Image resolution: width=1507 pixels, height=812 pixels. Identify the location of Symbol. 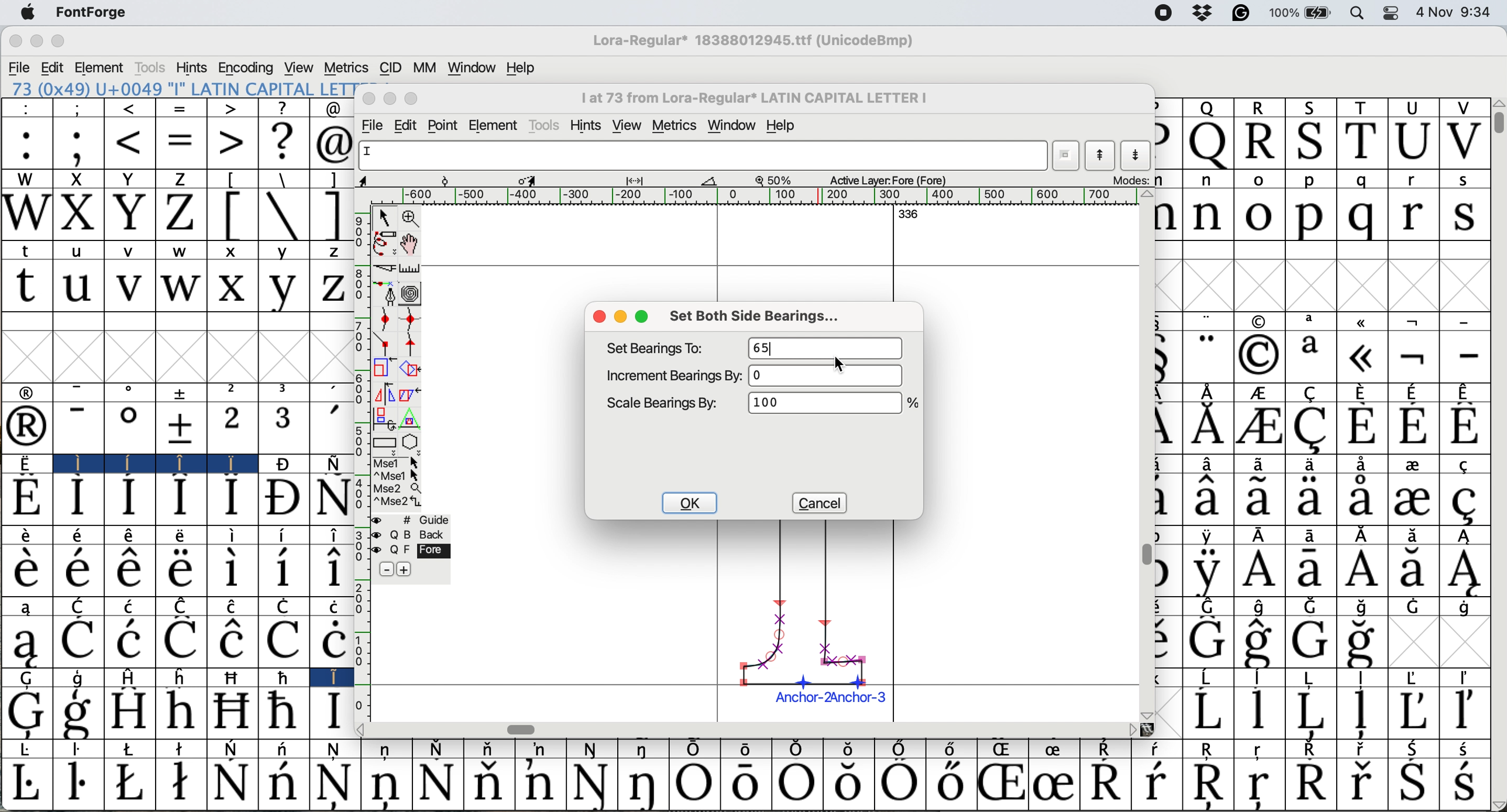
(1315, 535).